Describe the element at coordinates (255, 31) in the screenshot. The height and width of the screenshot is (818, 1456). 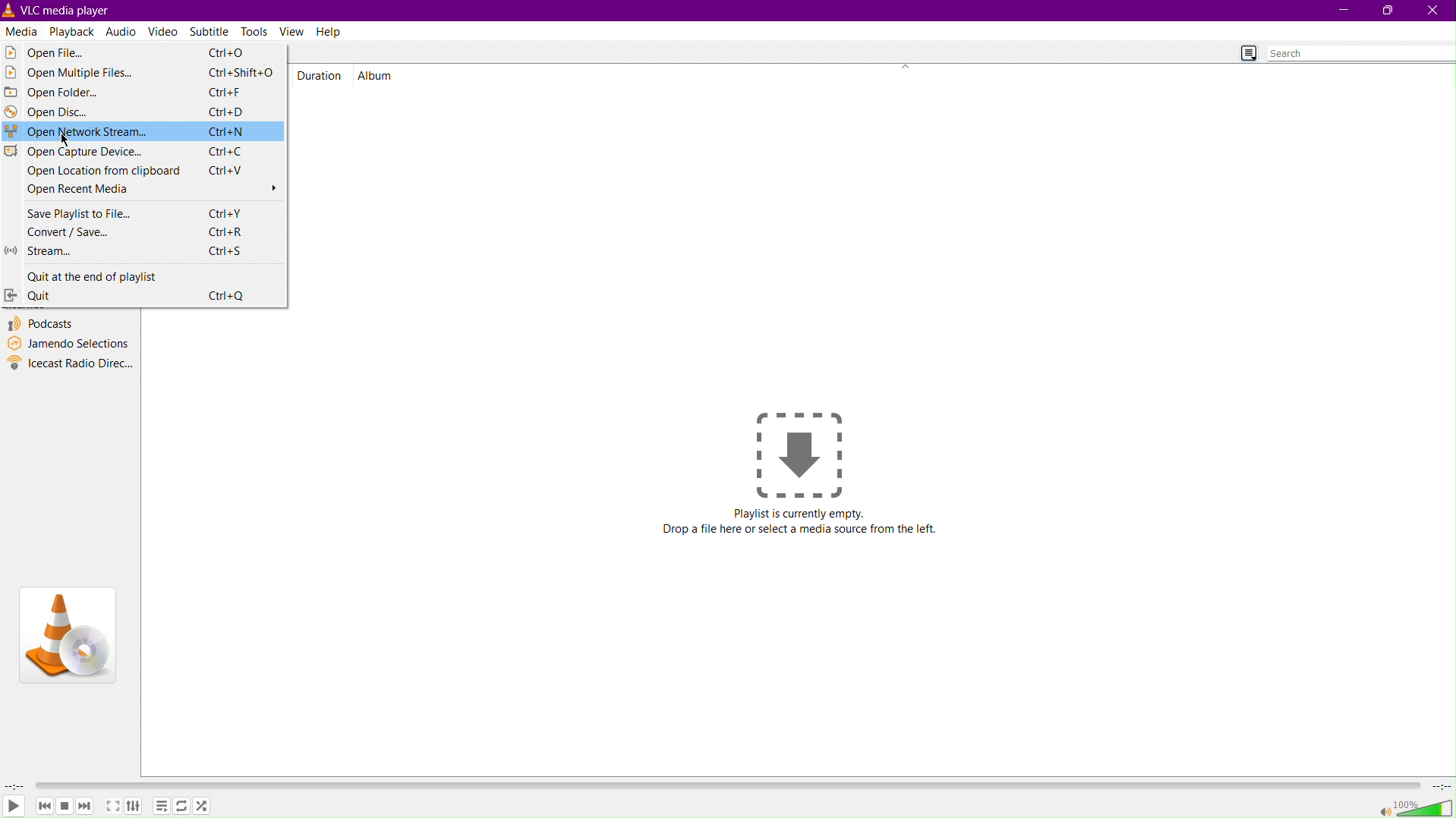
I see `Tools` at that location.